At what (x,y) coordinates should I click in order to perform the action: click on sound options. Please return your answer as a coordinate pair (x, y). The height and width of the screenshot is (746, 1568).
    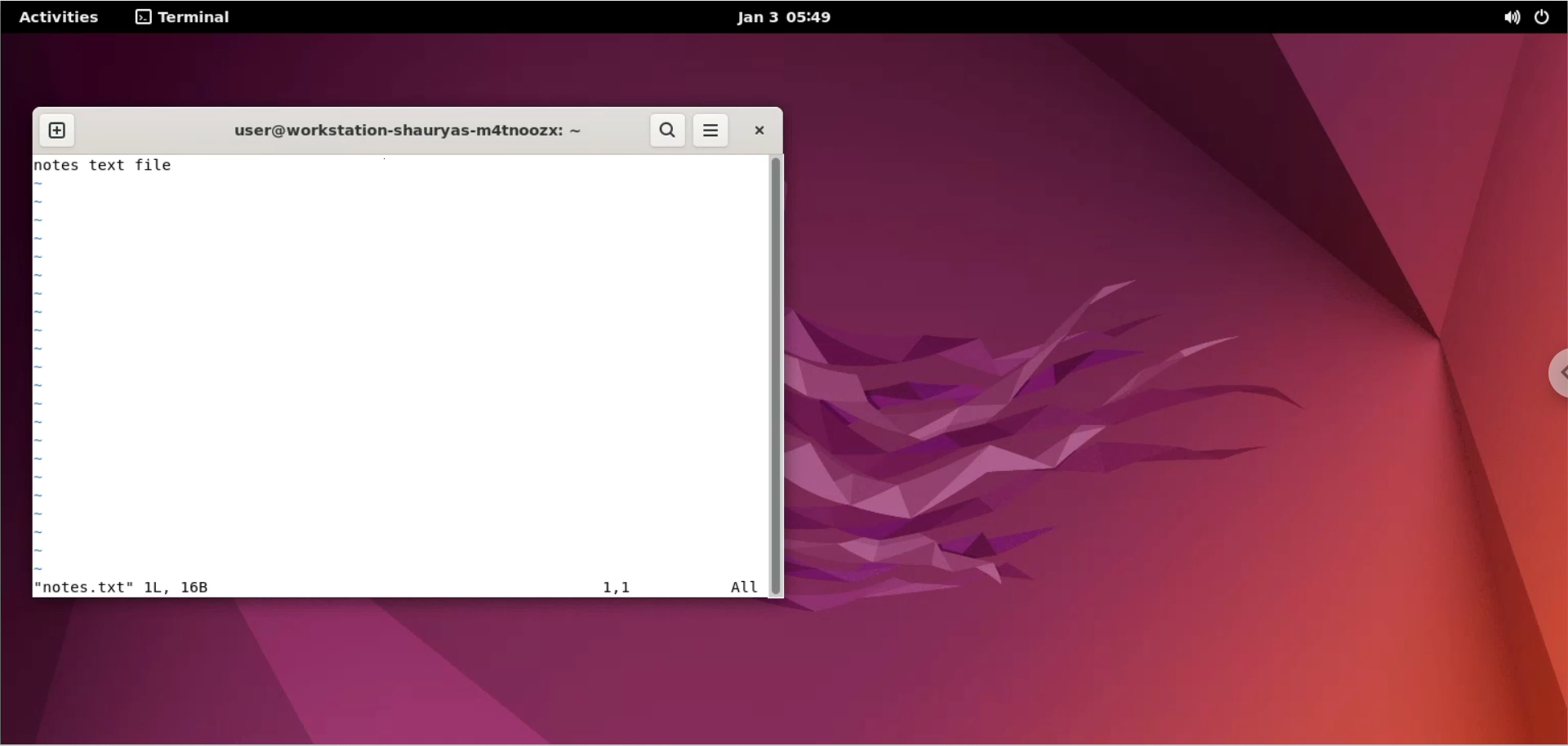
    Looking at the image, I should click on (1508, 20).